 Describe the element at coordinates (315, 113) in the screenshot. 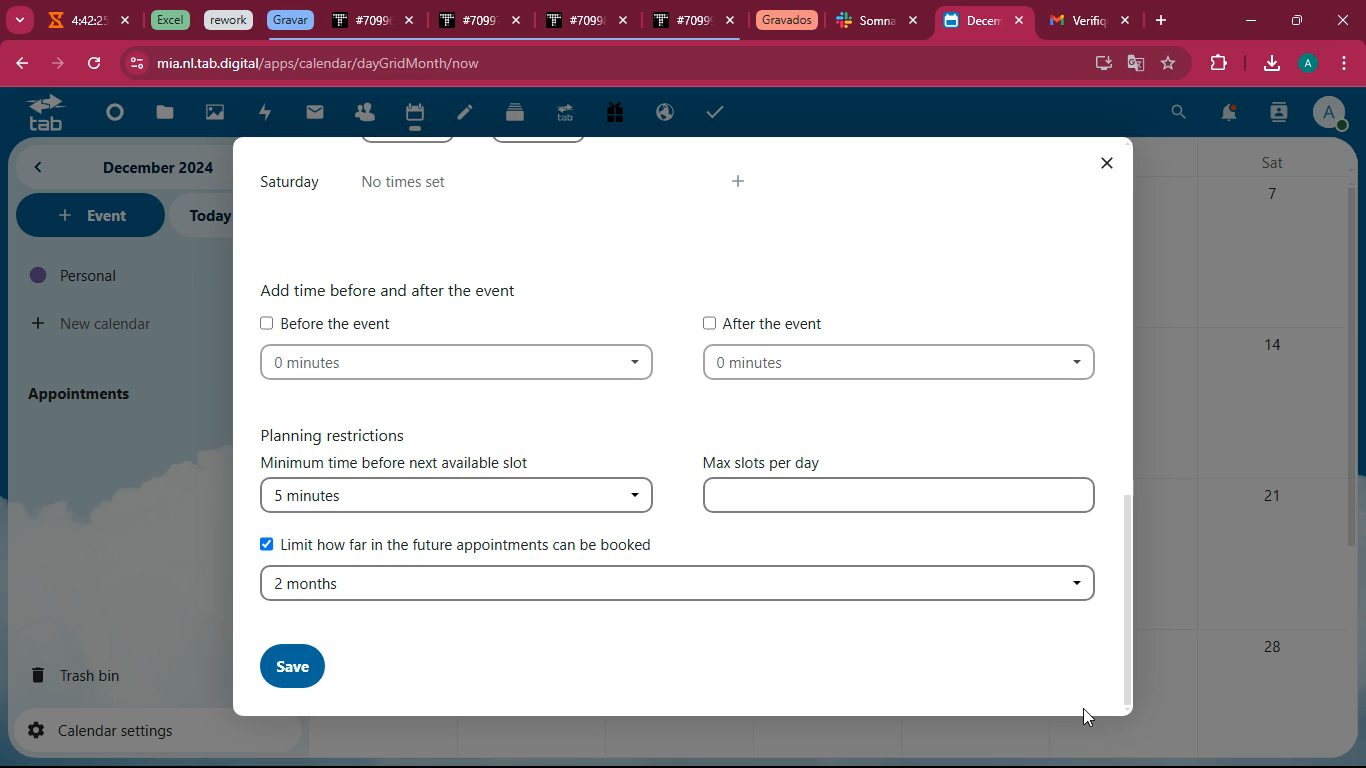

I see `mail` at that location.